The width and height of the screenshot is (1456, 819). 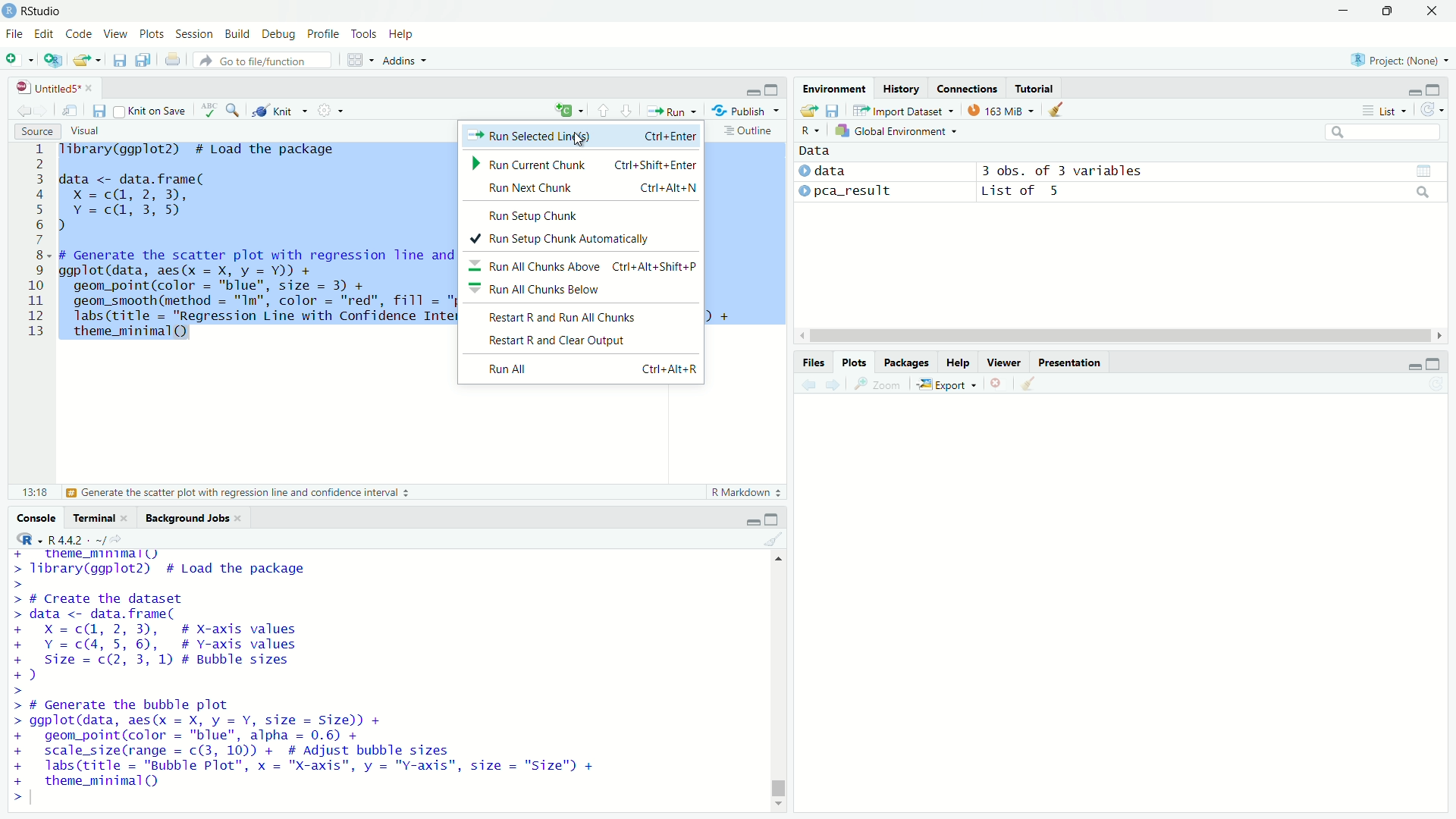 What do you see at coordinates (359, 60) in the screenshot?
I see `Workspace panes` at bounding box center [359, 60].